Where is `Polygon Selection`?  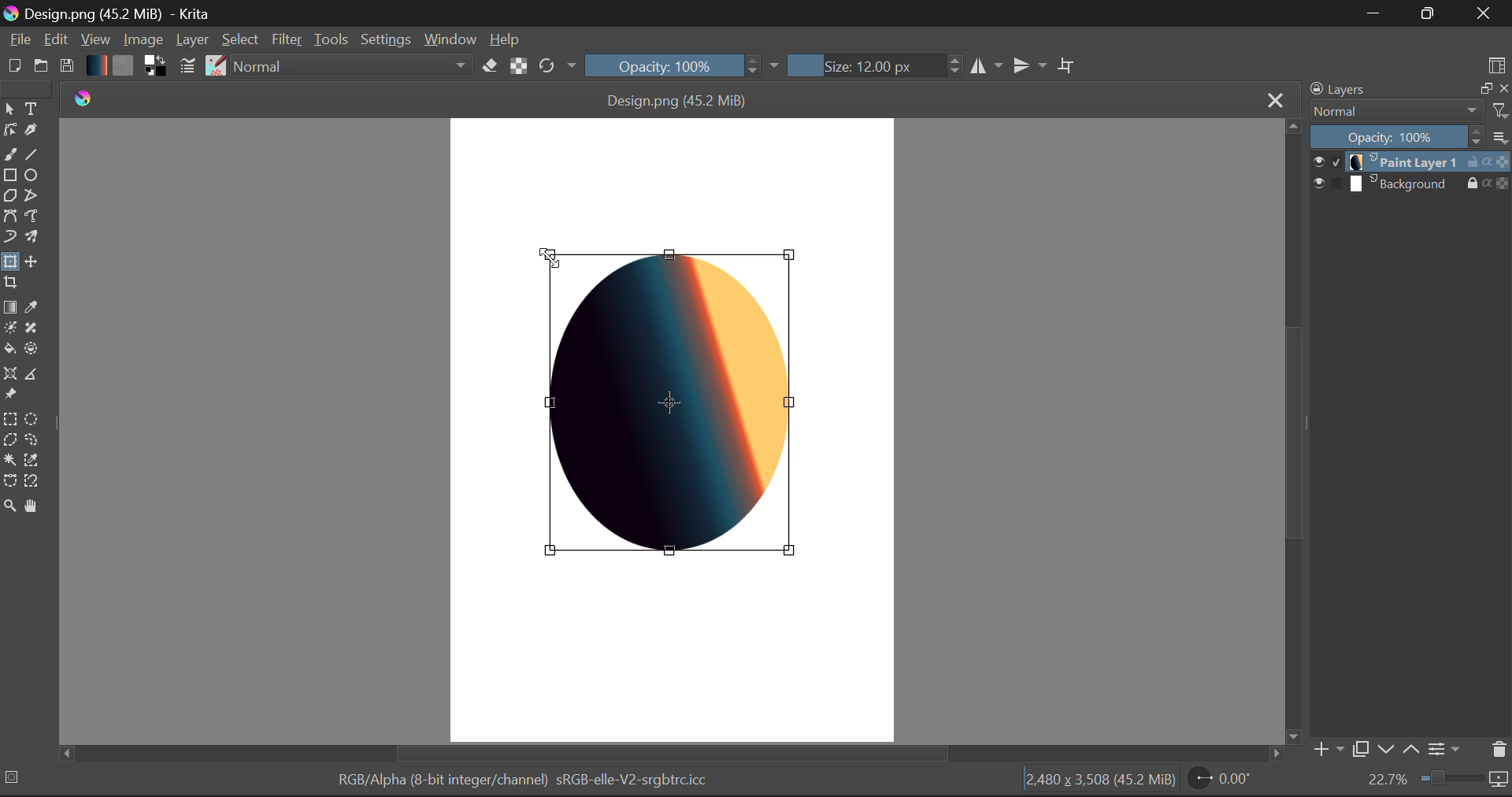 Polygon Selection is located at coordinates (9, 440).